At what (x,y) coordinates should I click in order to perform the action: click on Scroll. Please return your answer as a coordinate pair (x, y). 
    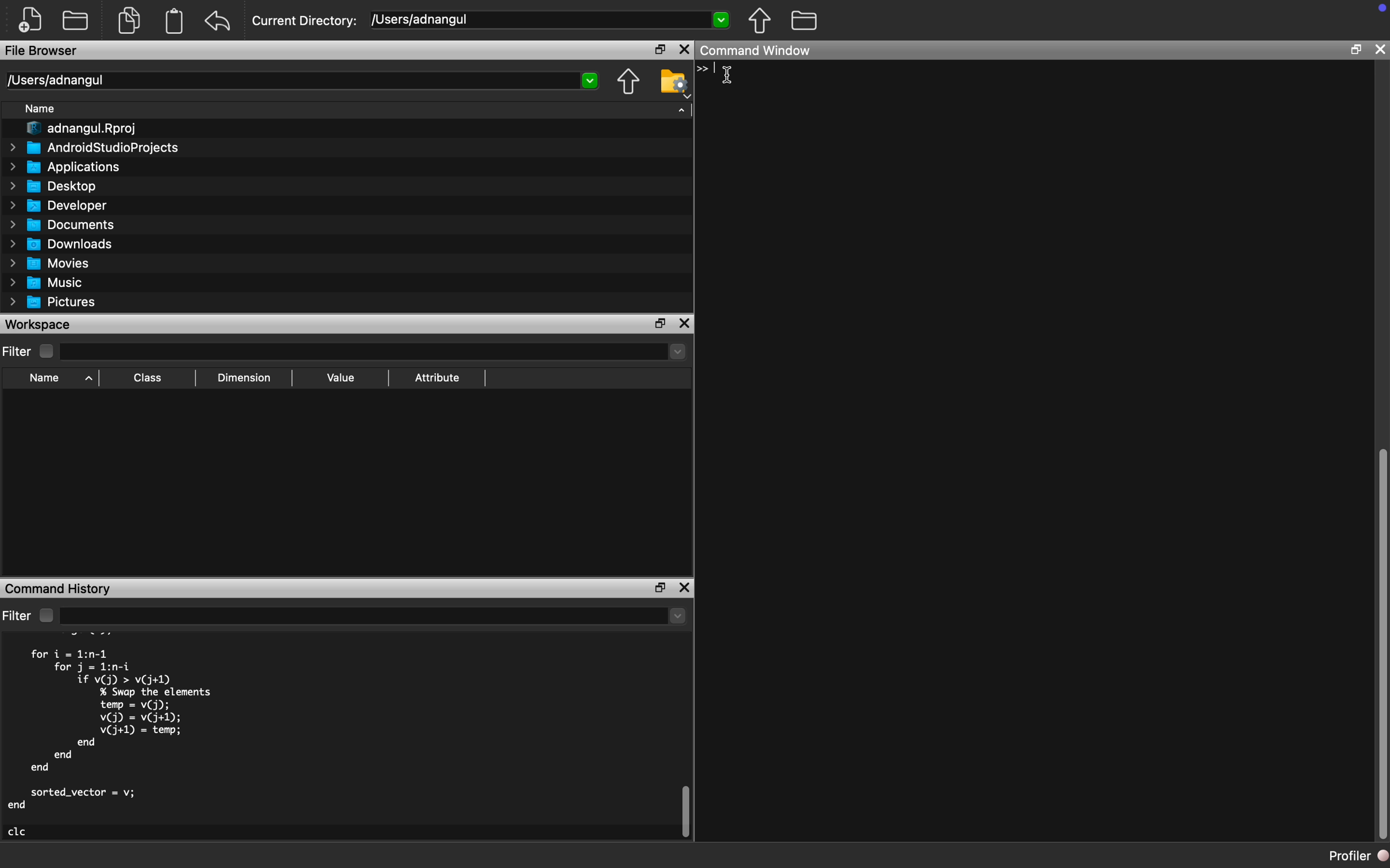
    Looking at the image, I should click on (686, 744).